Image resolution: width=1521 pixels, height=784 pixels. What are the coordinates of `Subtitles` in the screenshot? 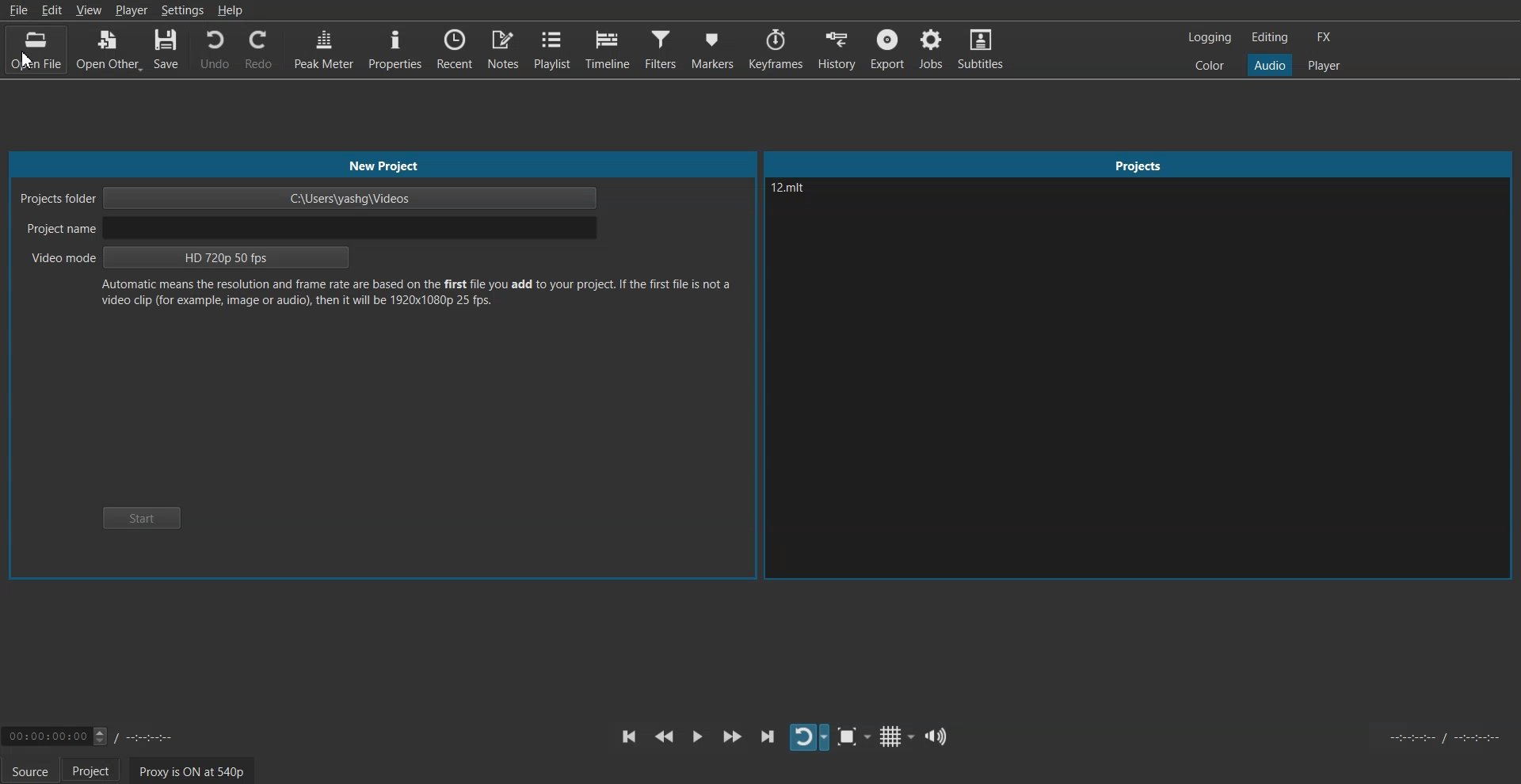 It's located at (981, 48).